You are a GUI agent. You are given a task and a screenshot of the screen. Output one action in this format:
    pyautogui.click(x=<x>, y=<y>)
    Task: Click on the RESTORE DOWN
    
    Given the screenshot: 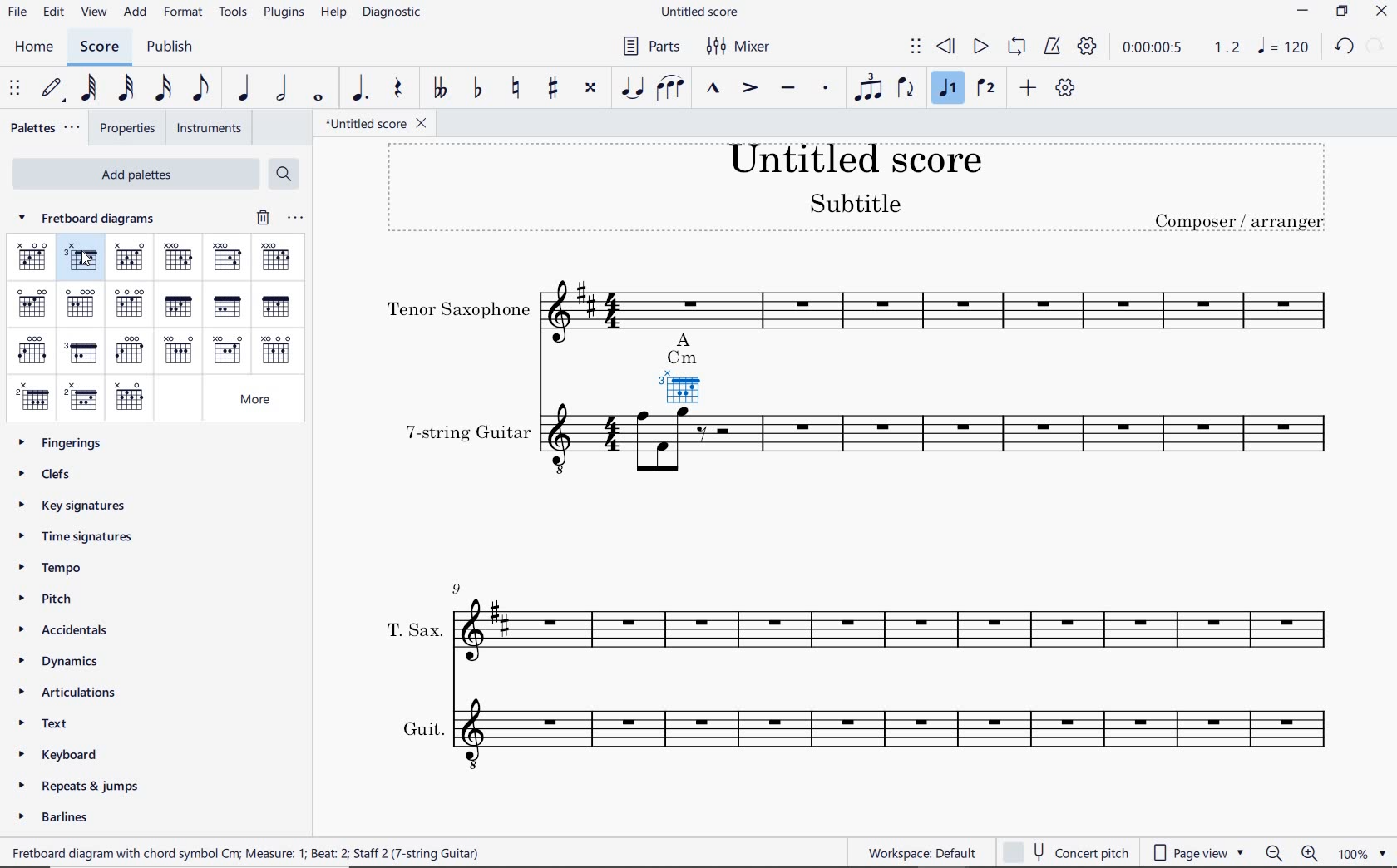 What is the action you would take?
    pyautogui.click(x=1341, y=13)
    